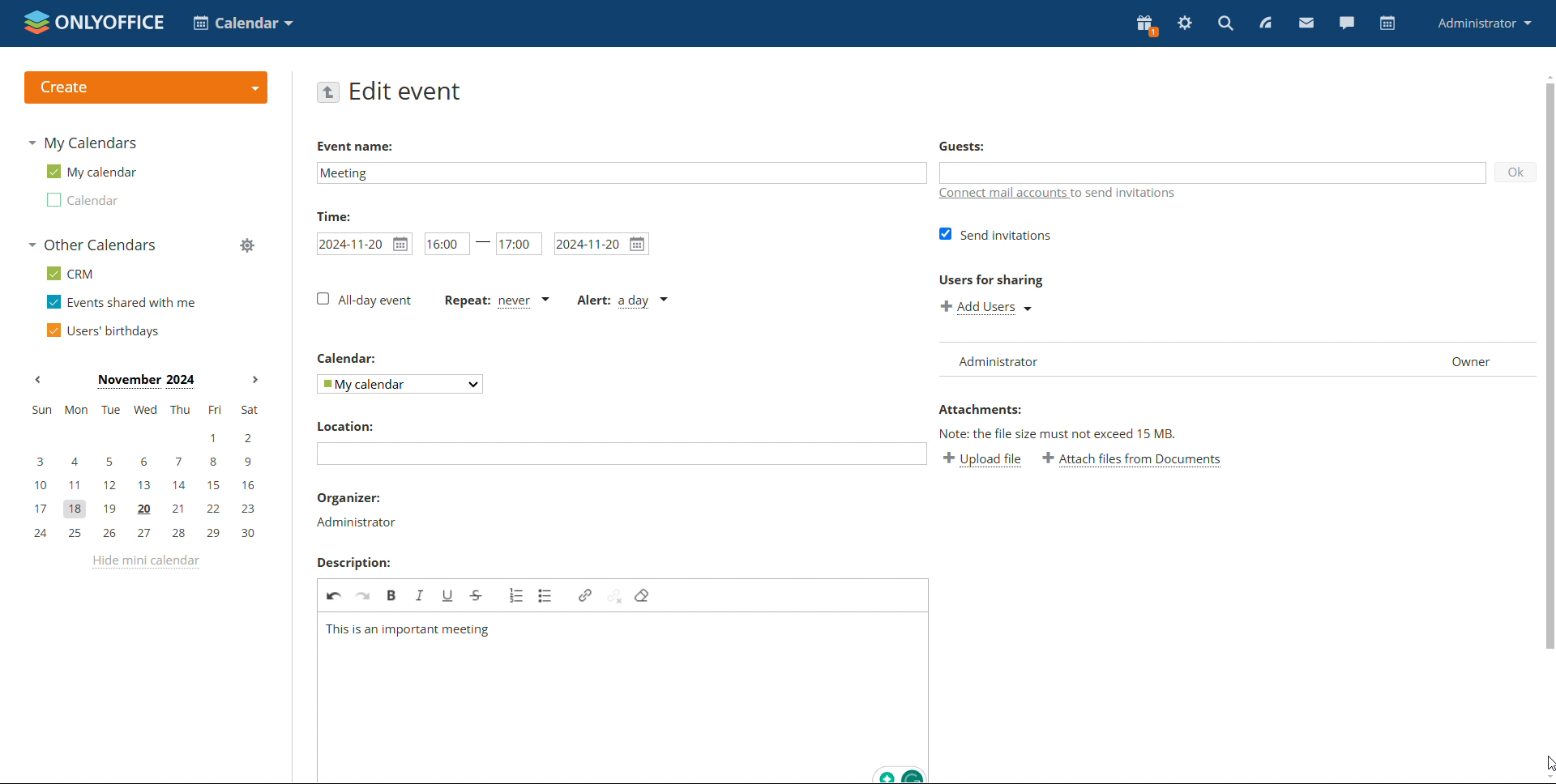 The image size is (1556, 784). I want to click on next month, so click(255, 379).